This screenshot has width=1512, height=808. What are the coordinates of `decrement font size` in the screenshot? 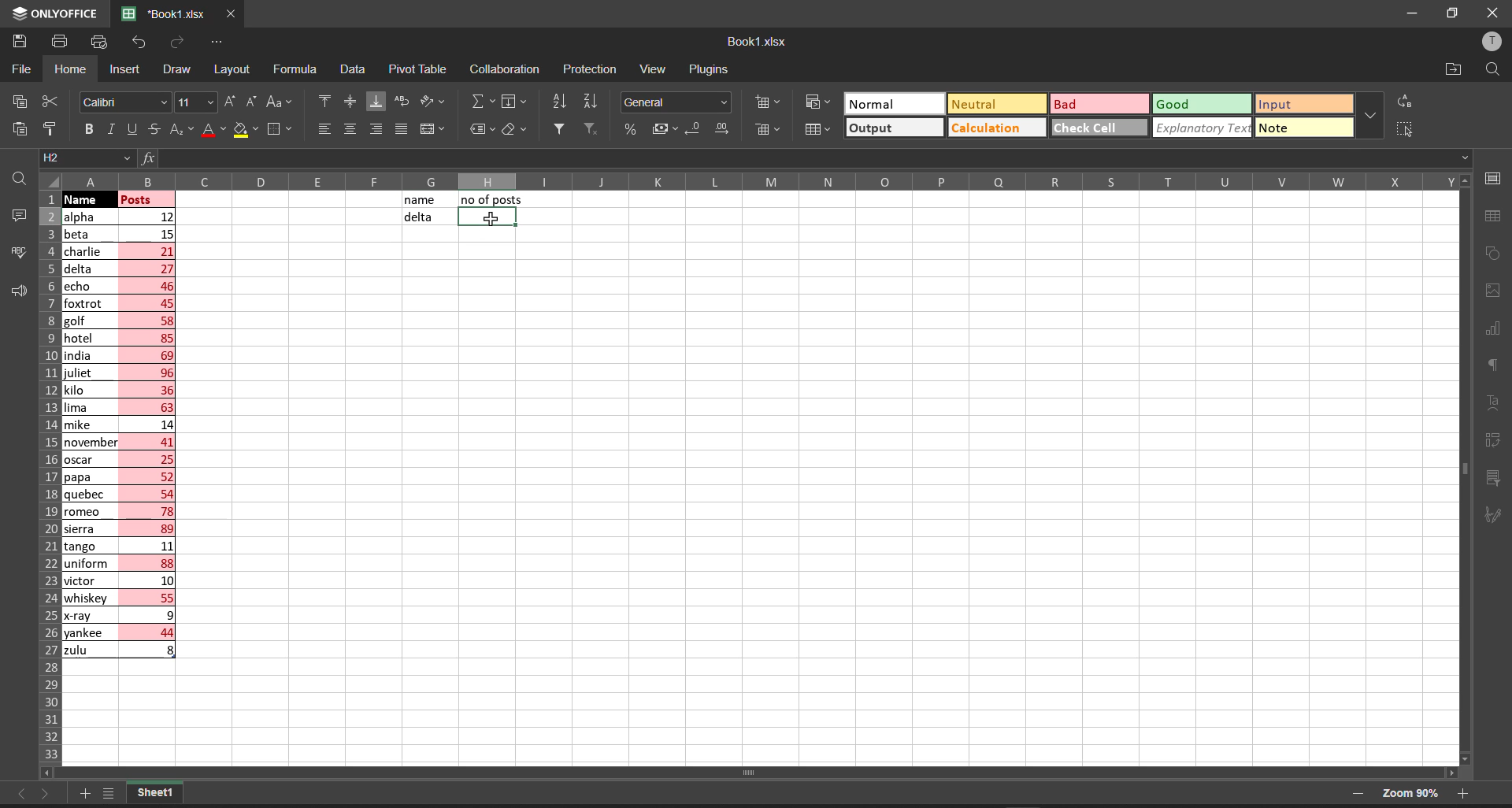 It's located at (253, 102).